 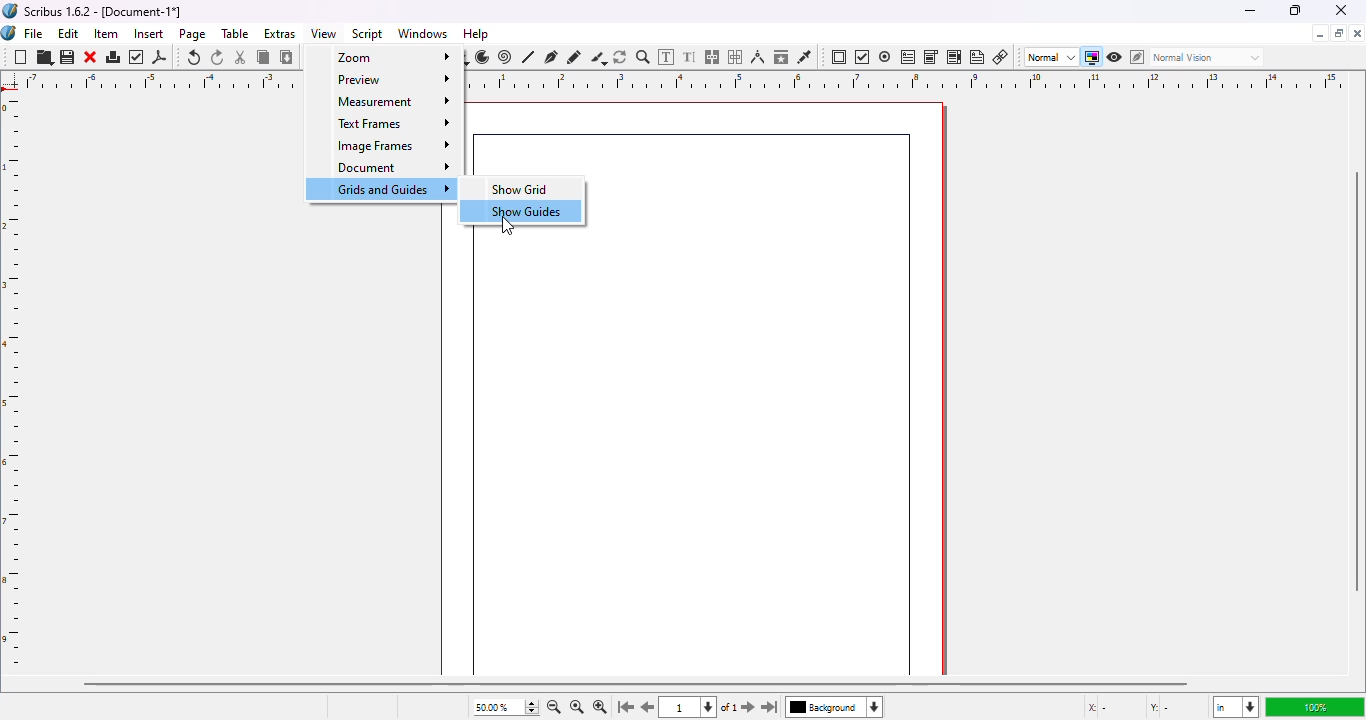 I want to click on zoom, so click(x=387, y=59).